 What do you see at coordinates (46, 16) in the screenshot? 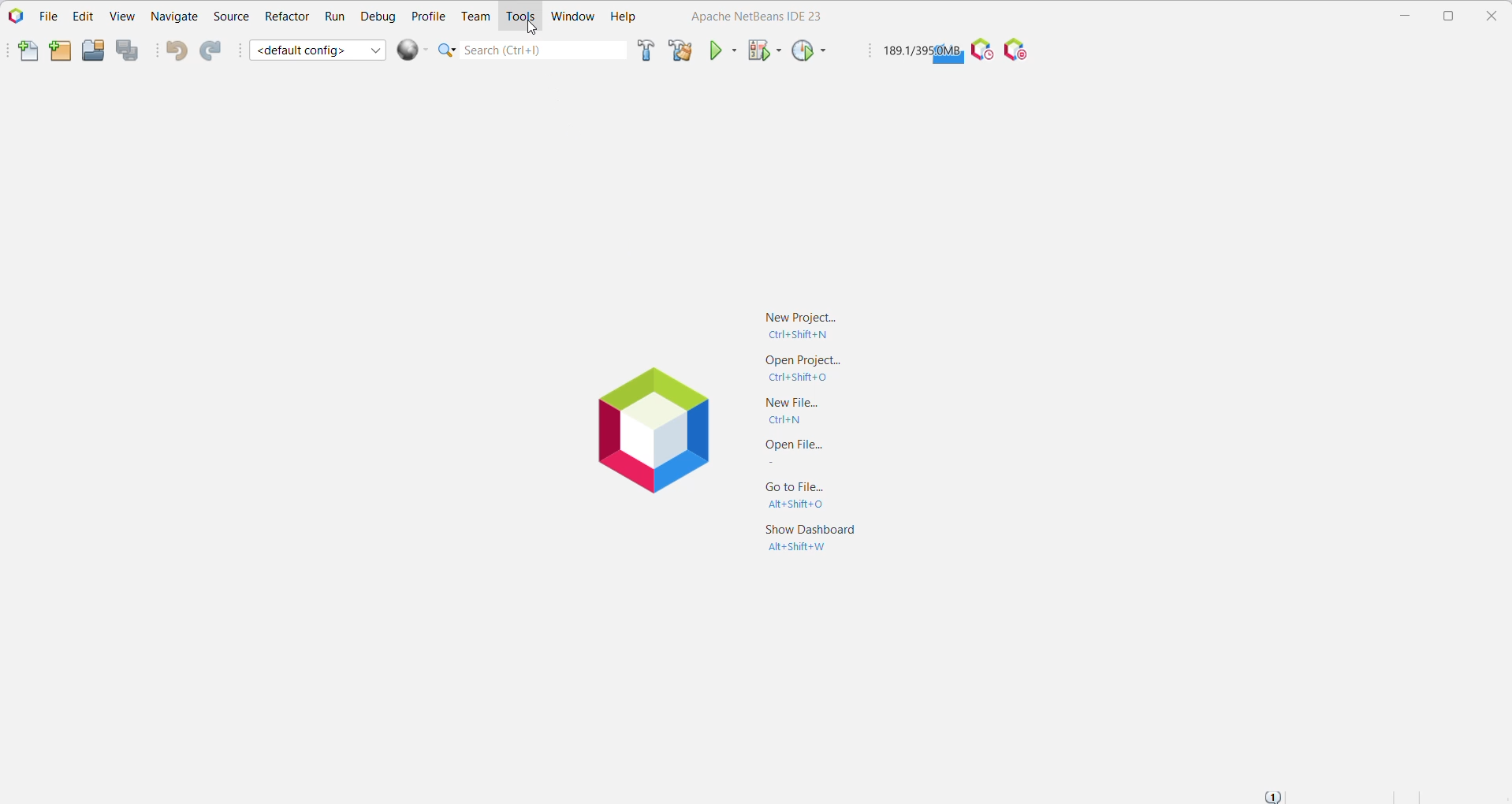
I see `File` at bounding box center [46, 16].